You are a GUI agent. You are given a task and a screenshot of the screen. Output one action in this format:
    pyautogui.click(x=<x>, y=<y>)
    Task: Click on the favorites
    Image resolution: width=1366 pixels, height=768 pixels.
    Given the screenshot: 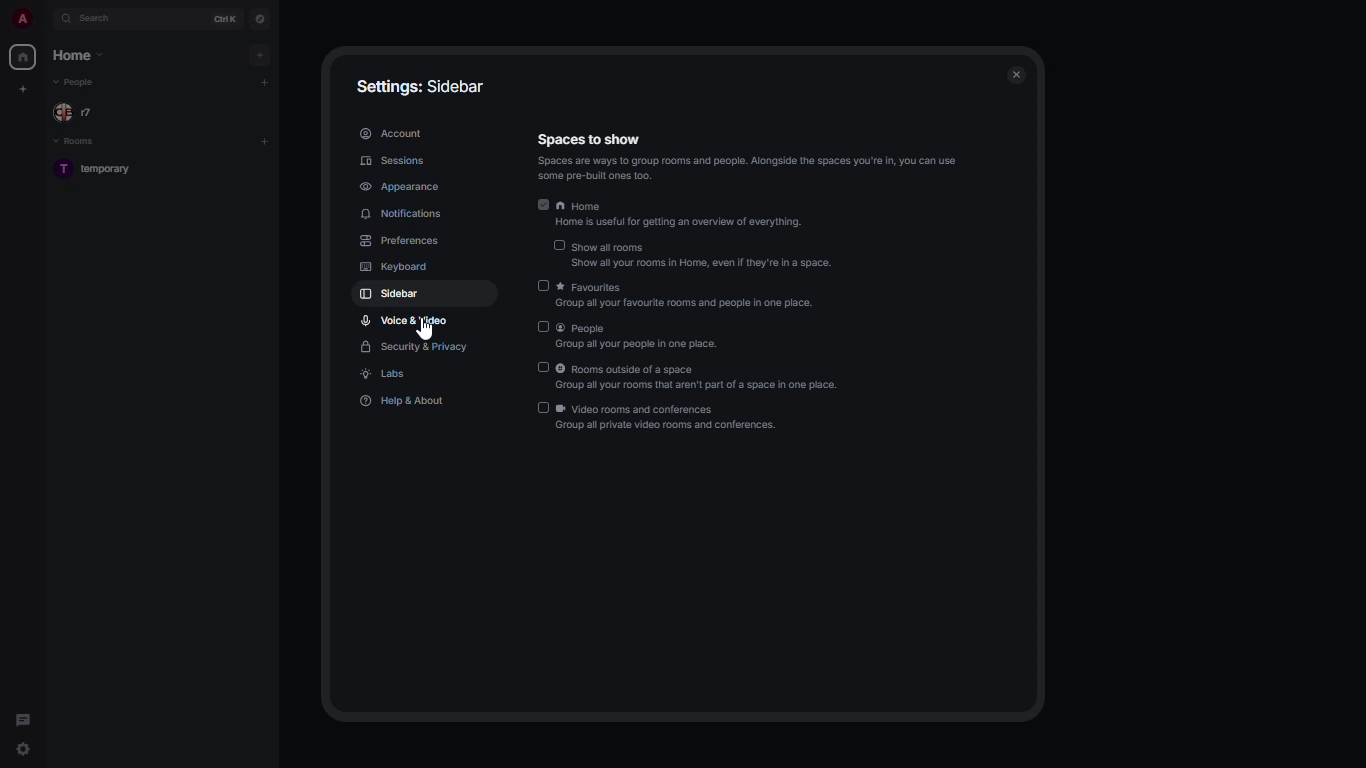 What is the action you would take?
    pyautogui.click(x=634, y=290)
    